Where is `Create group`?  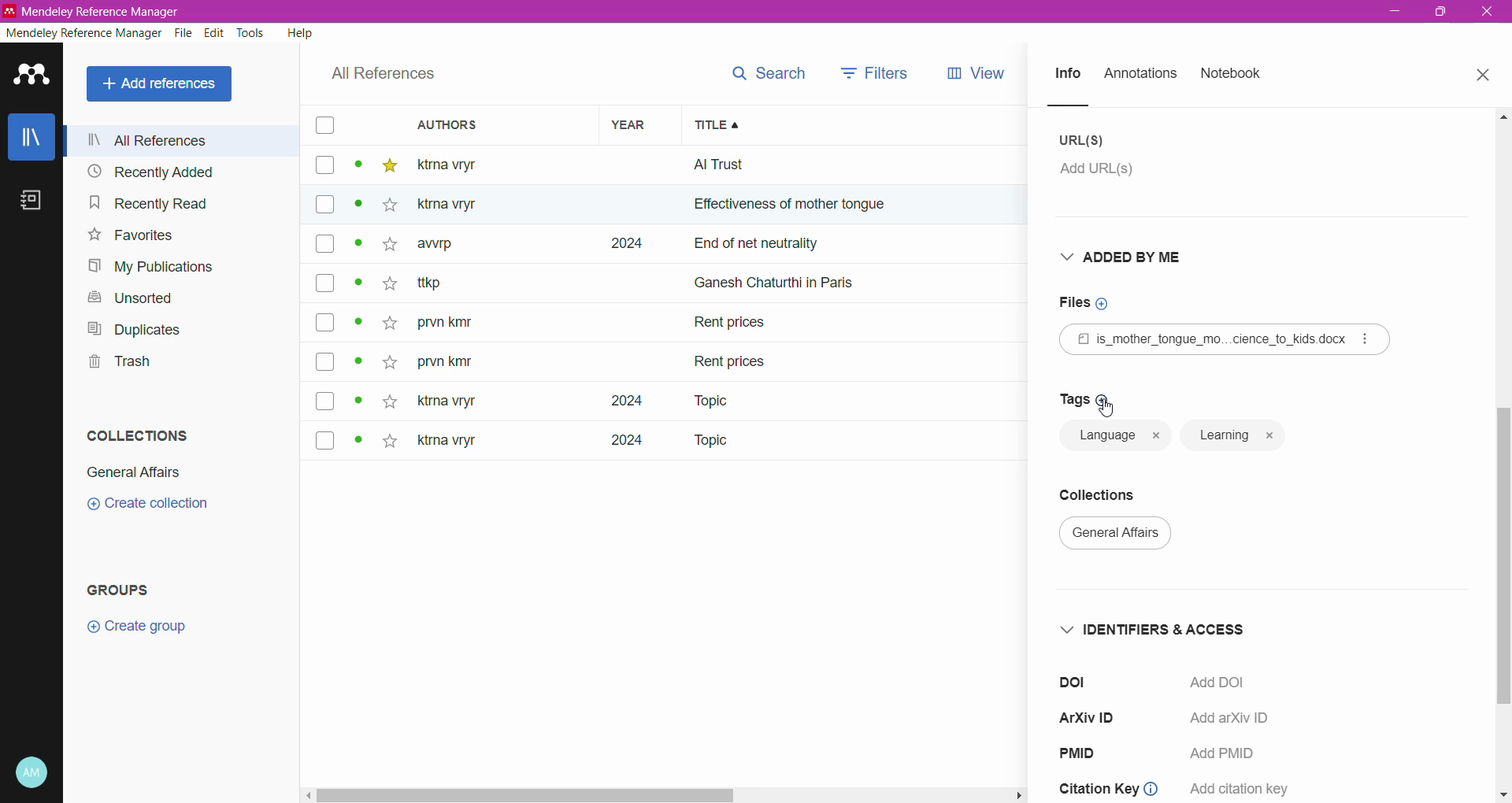 Create group is located at coordinates (136, 627).